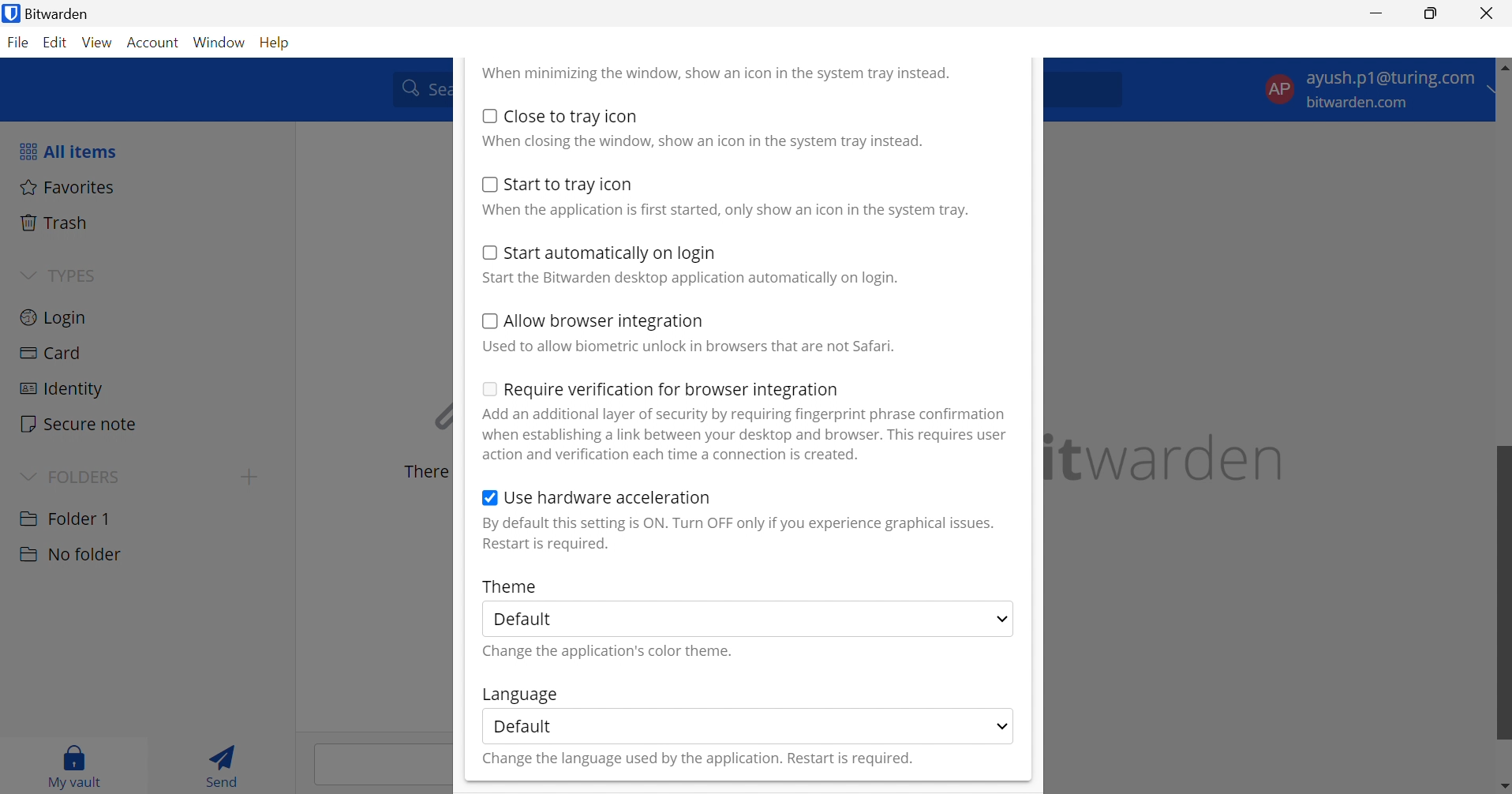  I want to click on Checkbox, so click(487, 184).